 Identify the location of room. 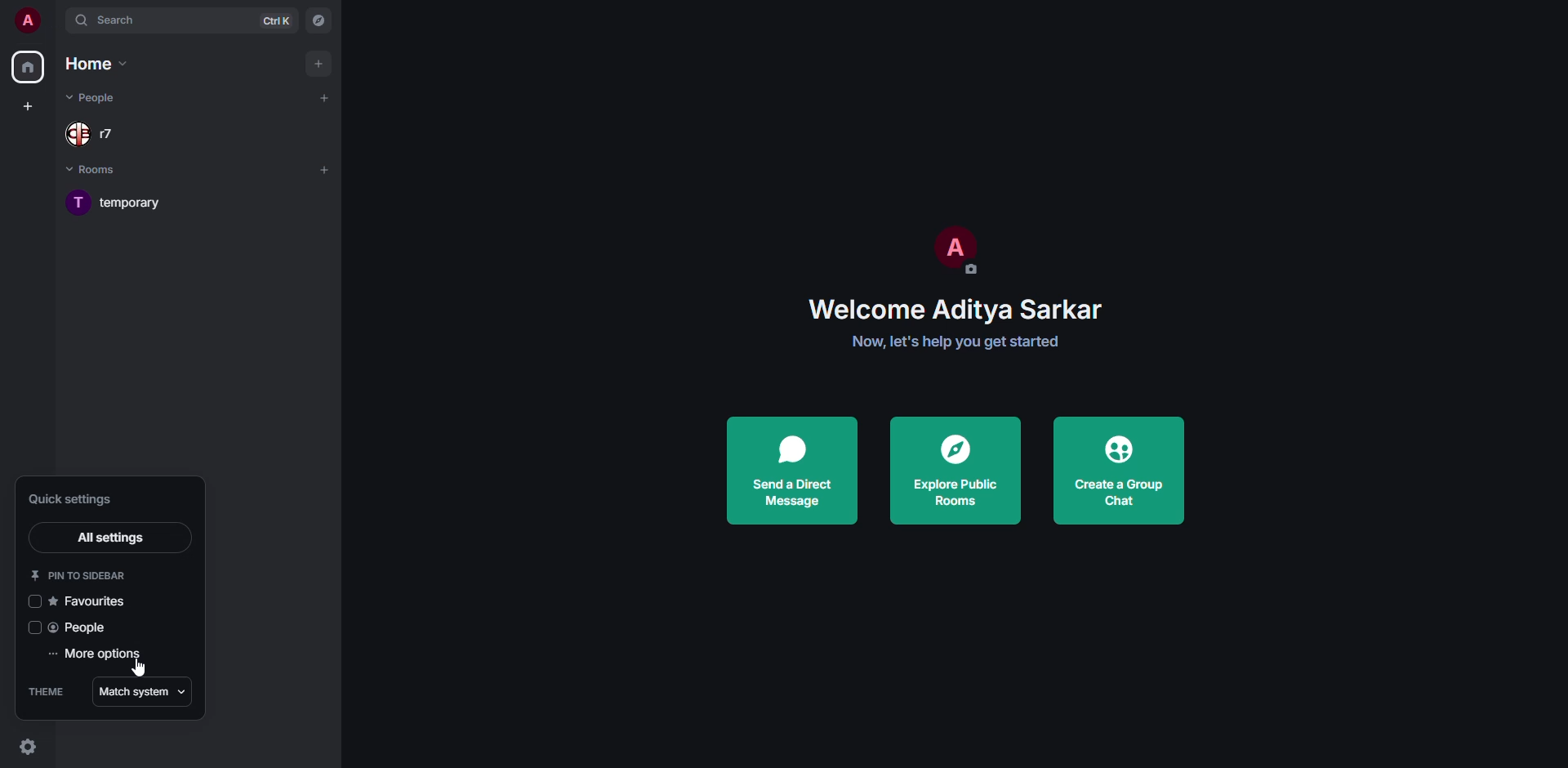
(133, 202).